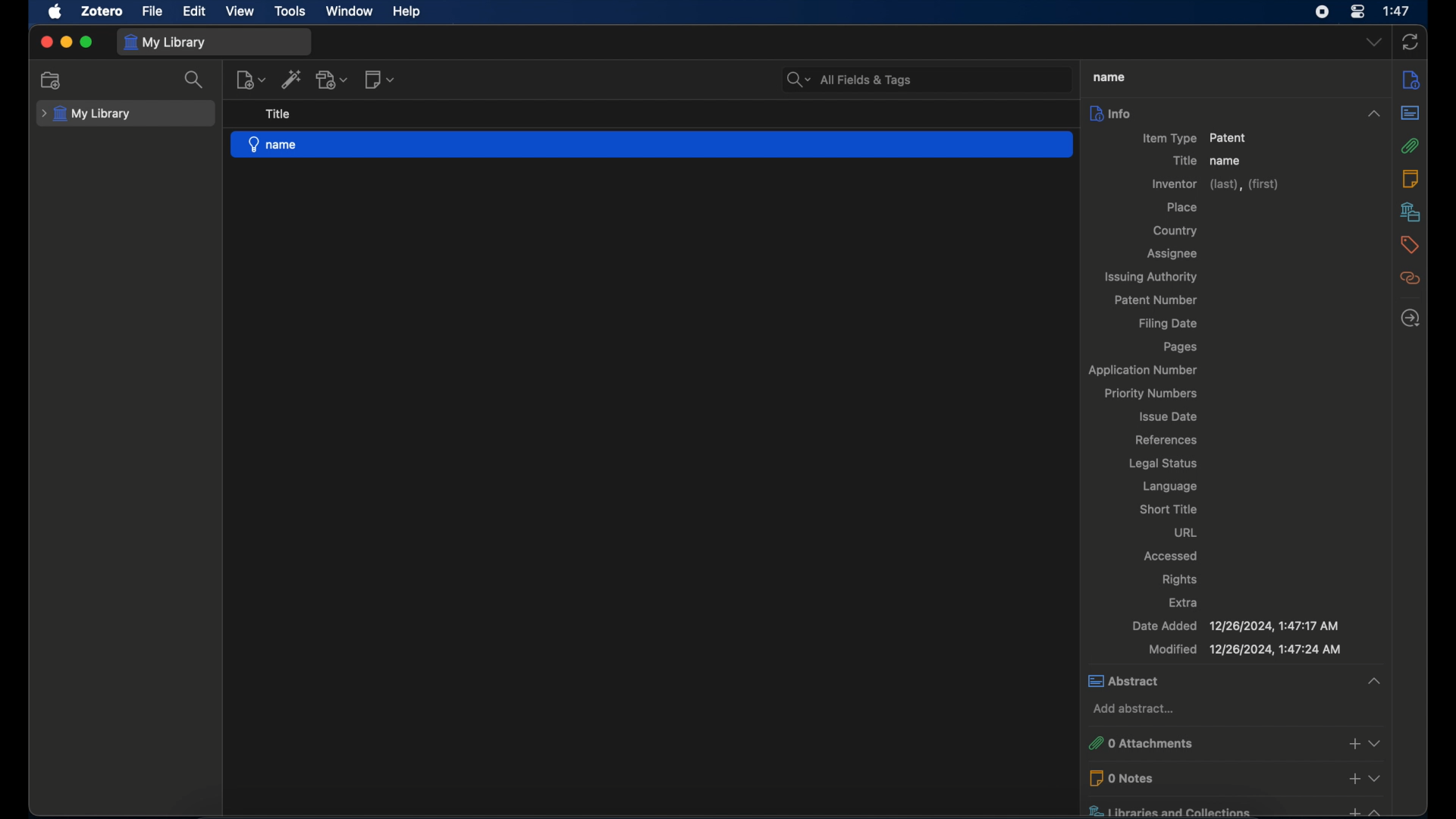 The image size is (1456, 819). I want to click on abstract, so click(1212, 681).